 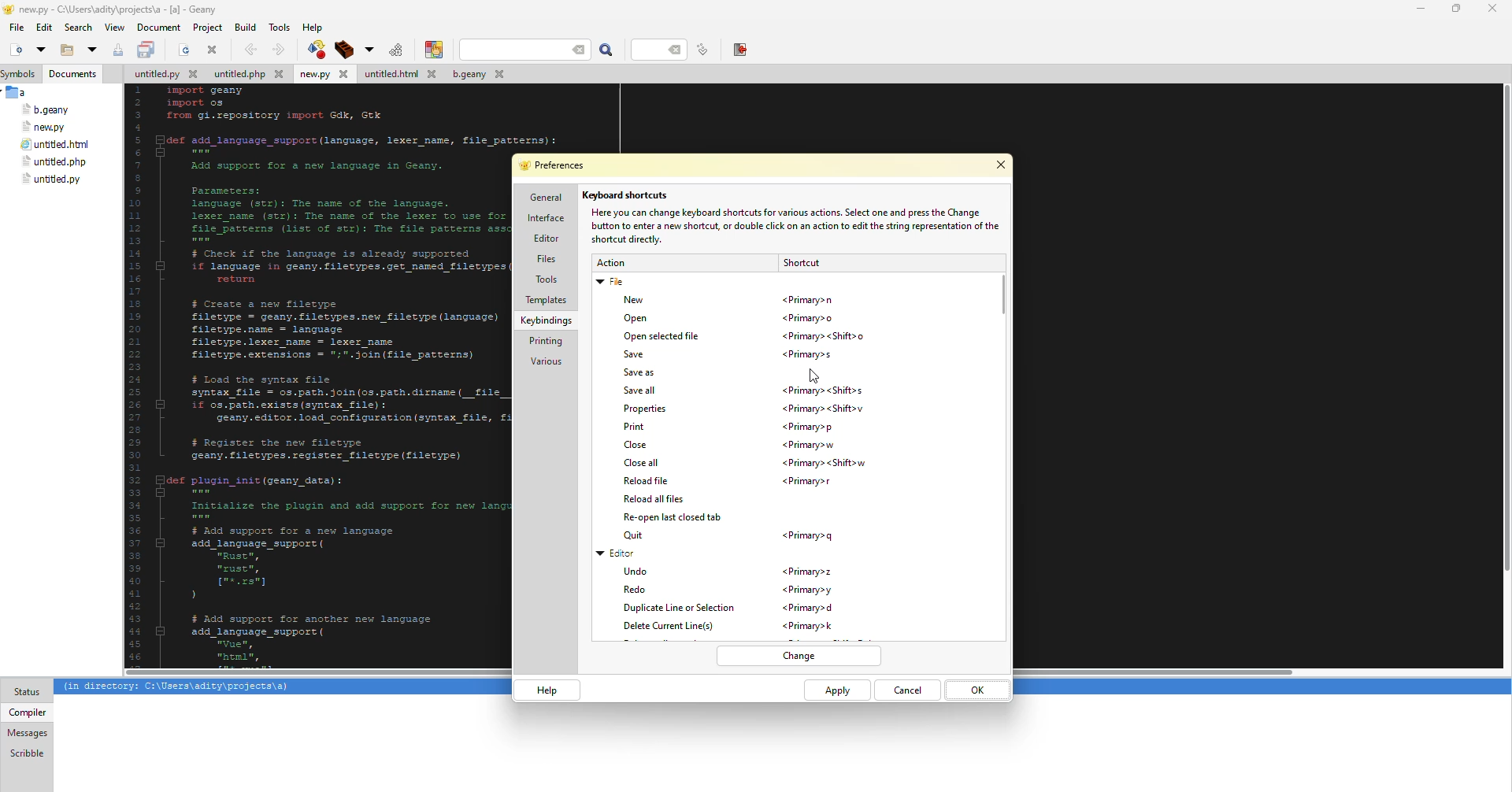 I want to click on back, so click(x=249, y=49).